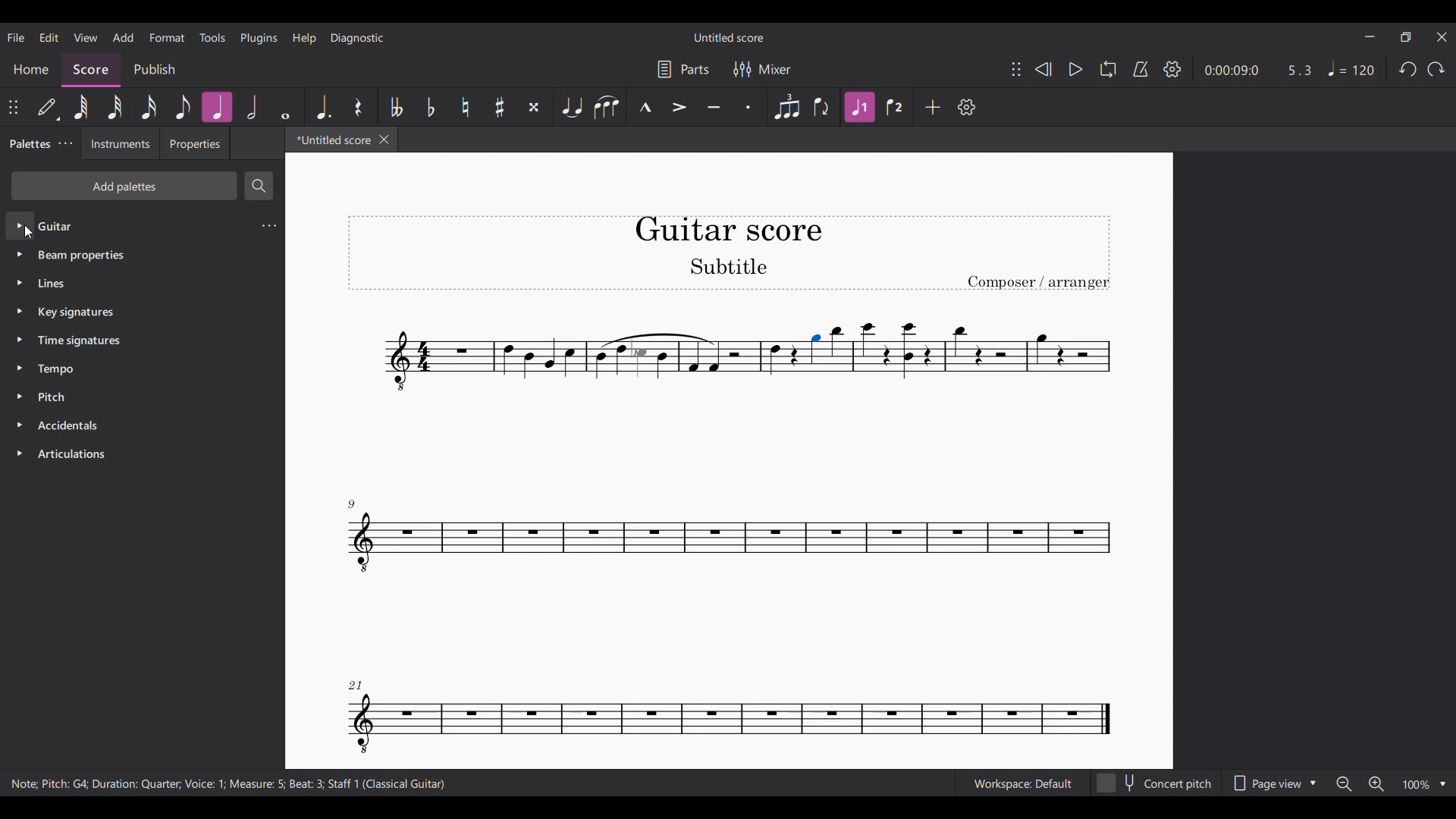 The image size is (1456, 819). Describe the element at coordinates (259, 39) in the screenshot. I see `Plugins menu` at that location.